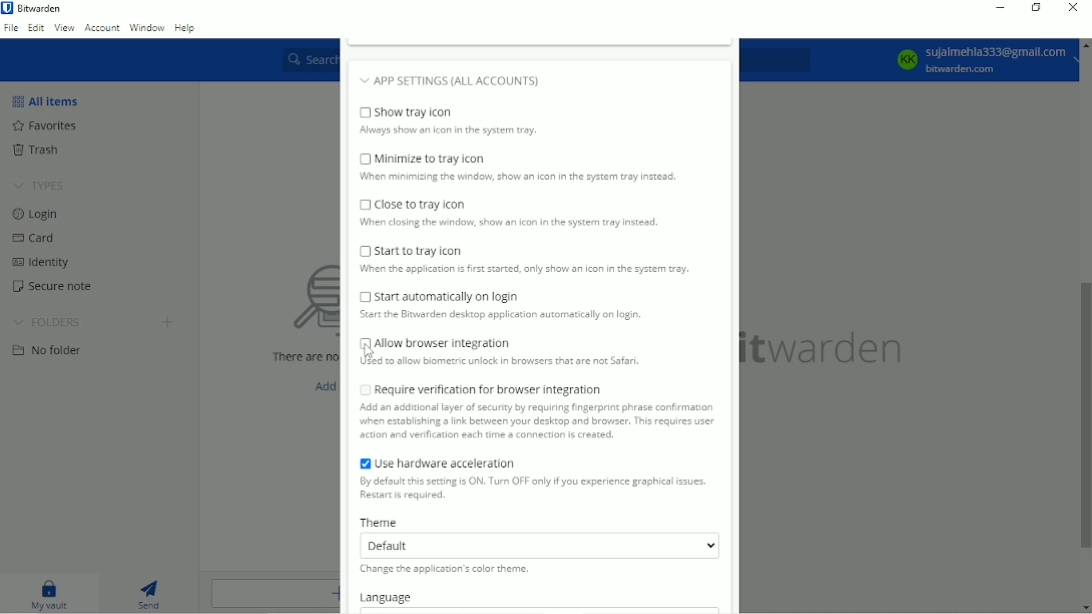 This screenshot has height=614, width=1092. Describe the element at coordinates (505, 363) in the screenshot. I see `Used to allow biometric in browsers that are not safari.` at that location.